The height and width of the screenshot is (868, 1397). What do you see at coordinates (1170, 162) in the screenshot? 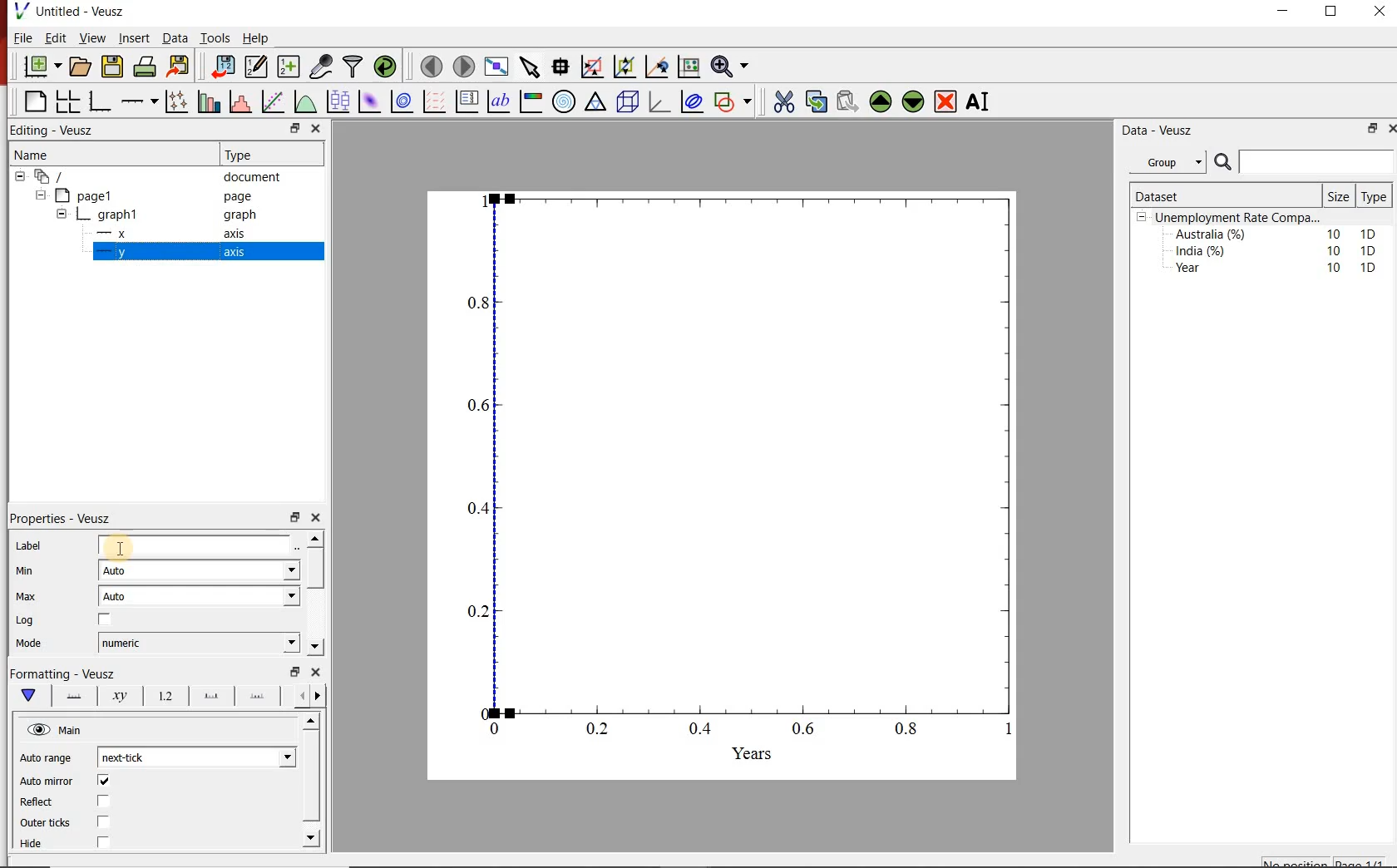
I see `Group` at bounding box center [1170, 162].